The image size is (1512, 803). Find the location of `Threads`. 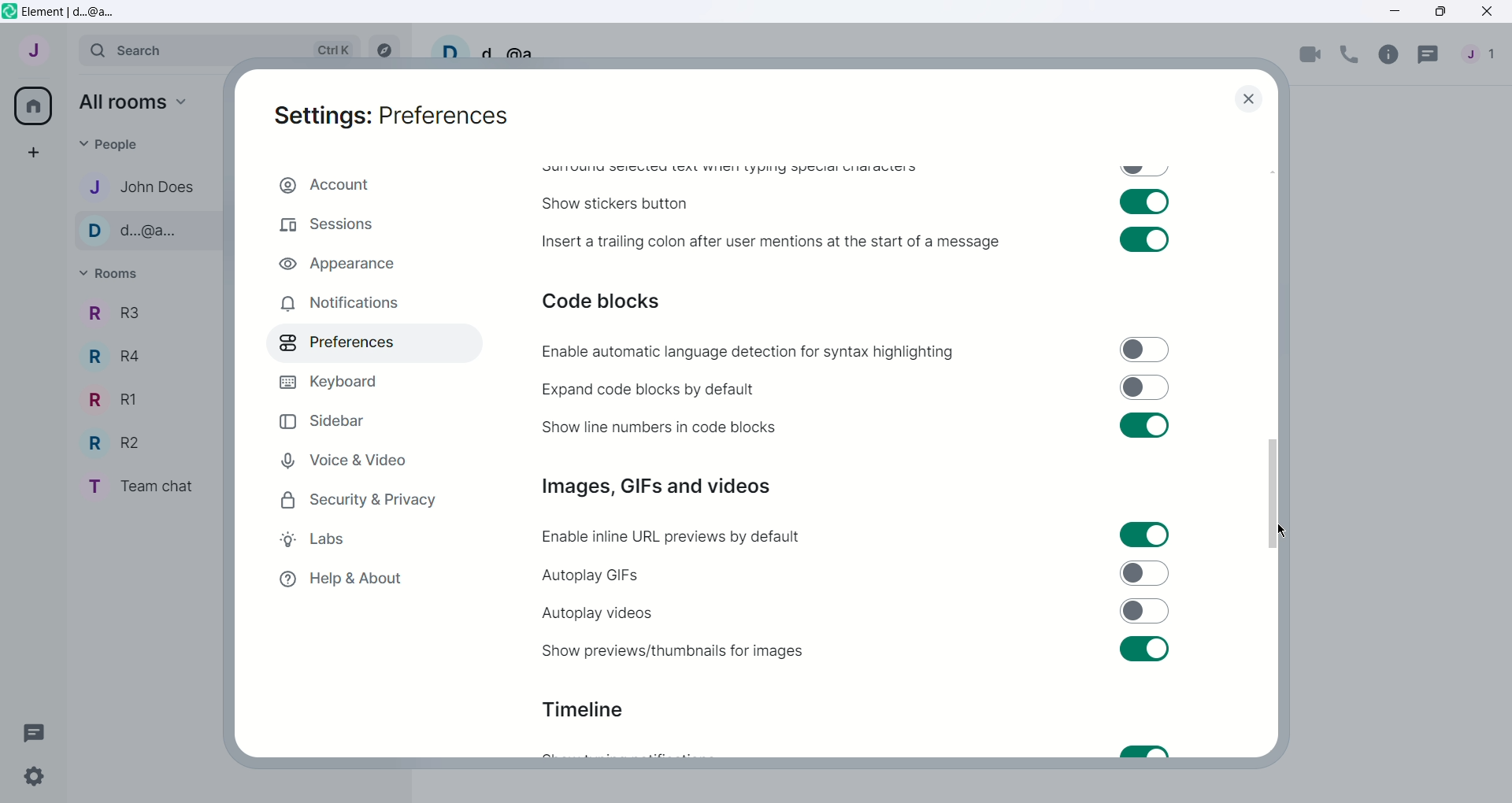

Threads is located at coordinates (35, 732).